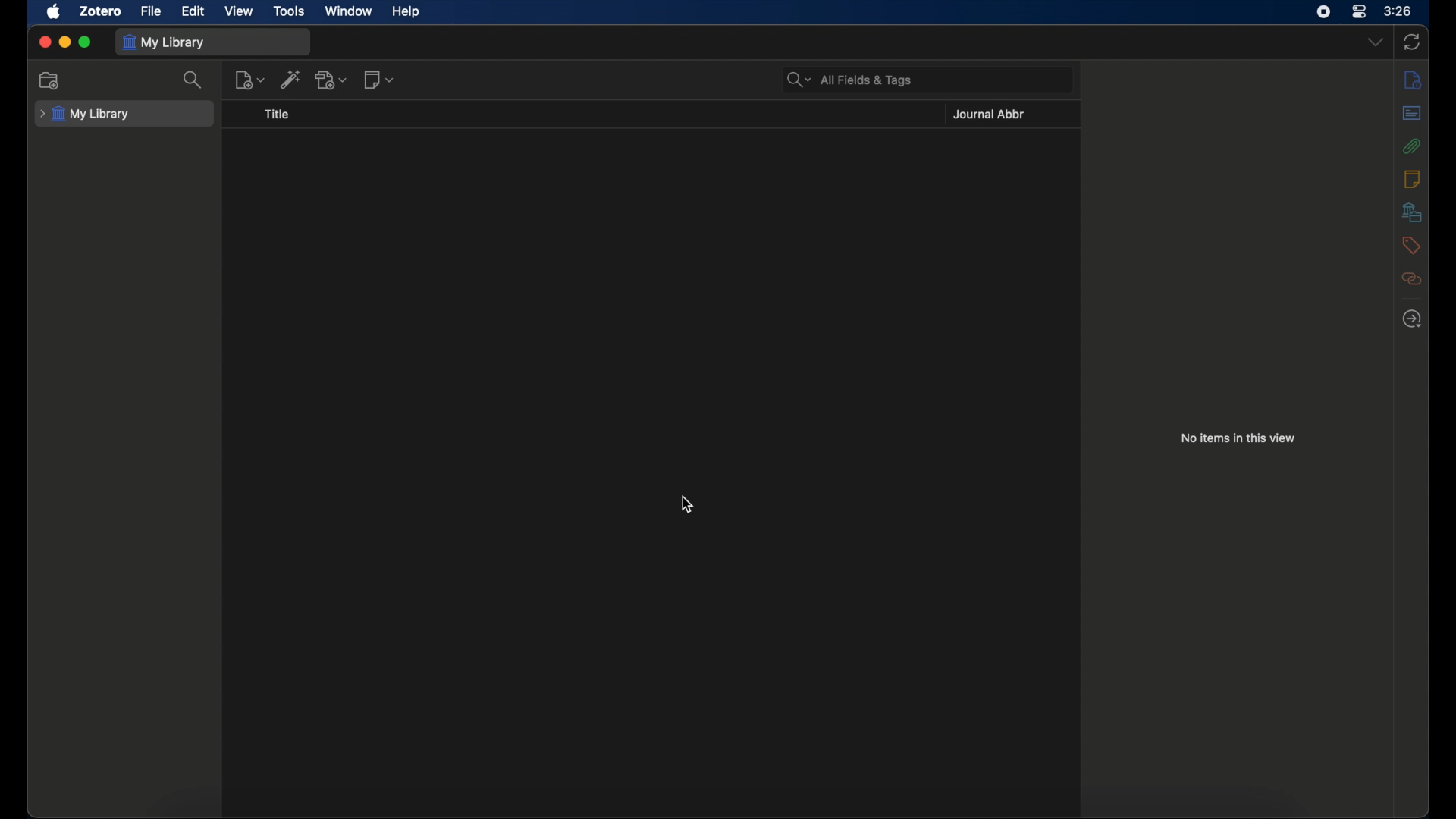  Describe the element at coordinates (1411, 146) in the screenshot. I see `attachments` at that location.